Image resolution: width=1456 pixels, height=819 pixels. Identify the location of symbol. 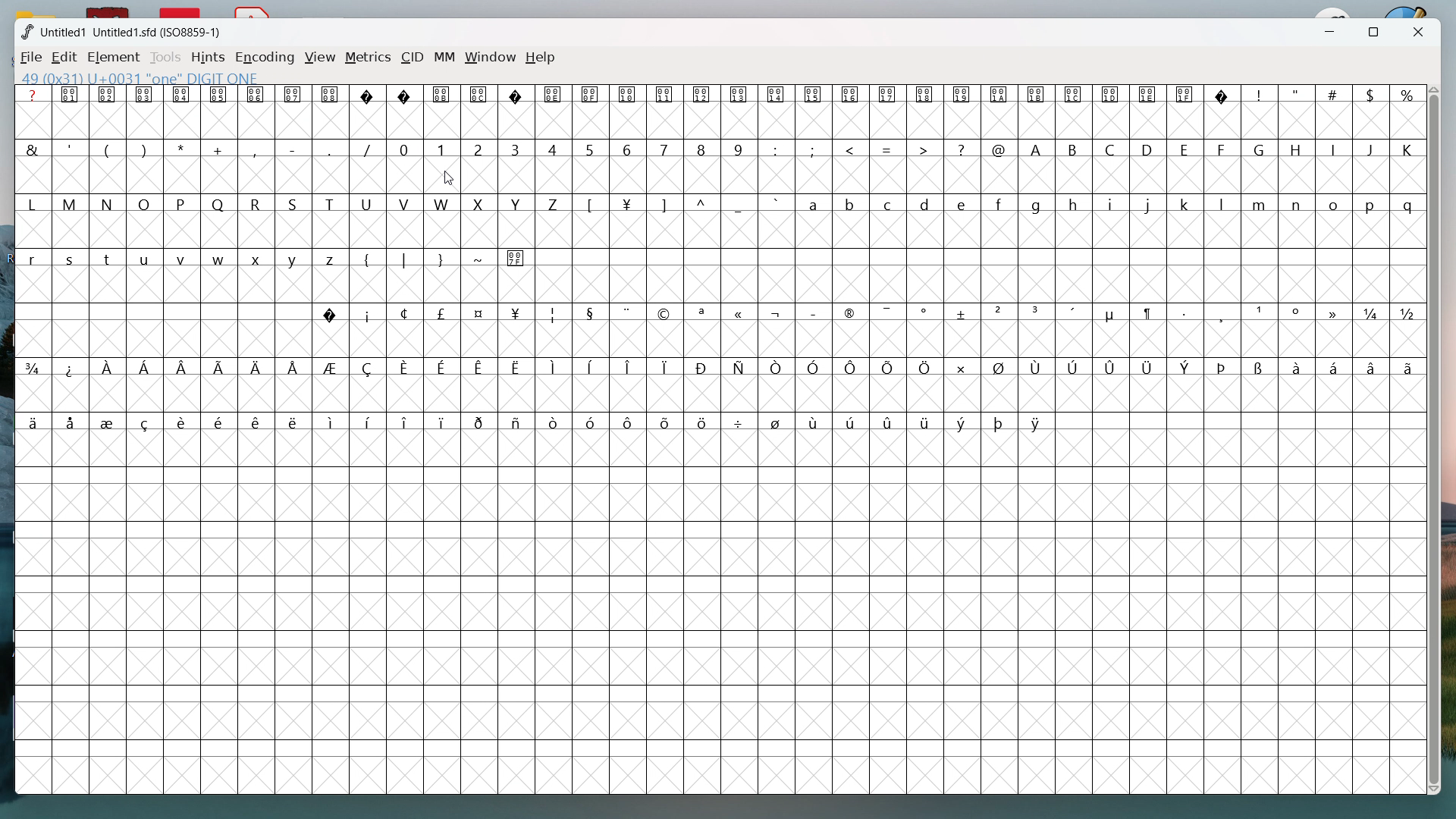
(220, 422).